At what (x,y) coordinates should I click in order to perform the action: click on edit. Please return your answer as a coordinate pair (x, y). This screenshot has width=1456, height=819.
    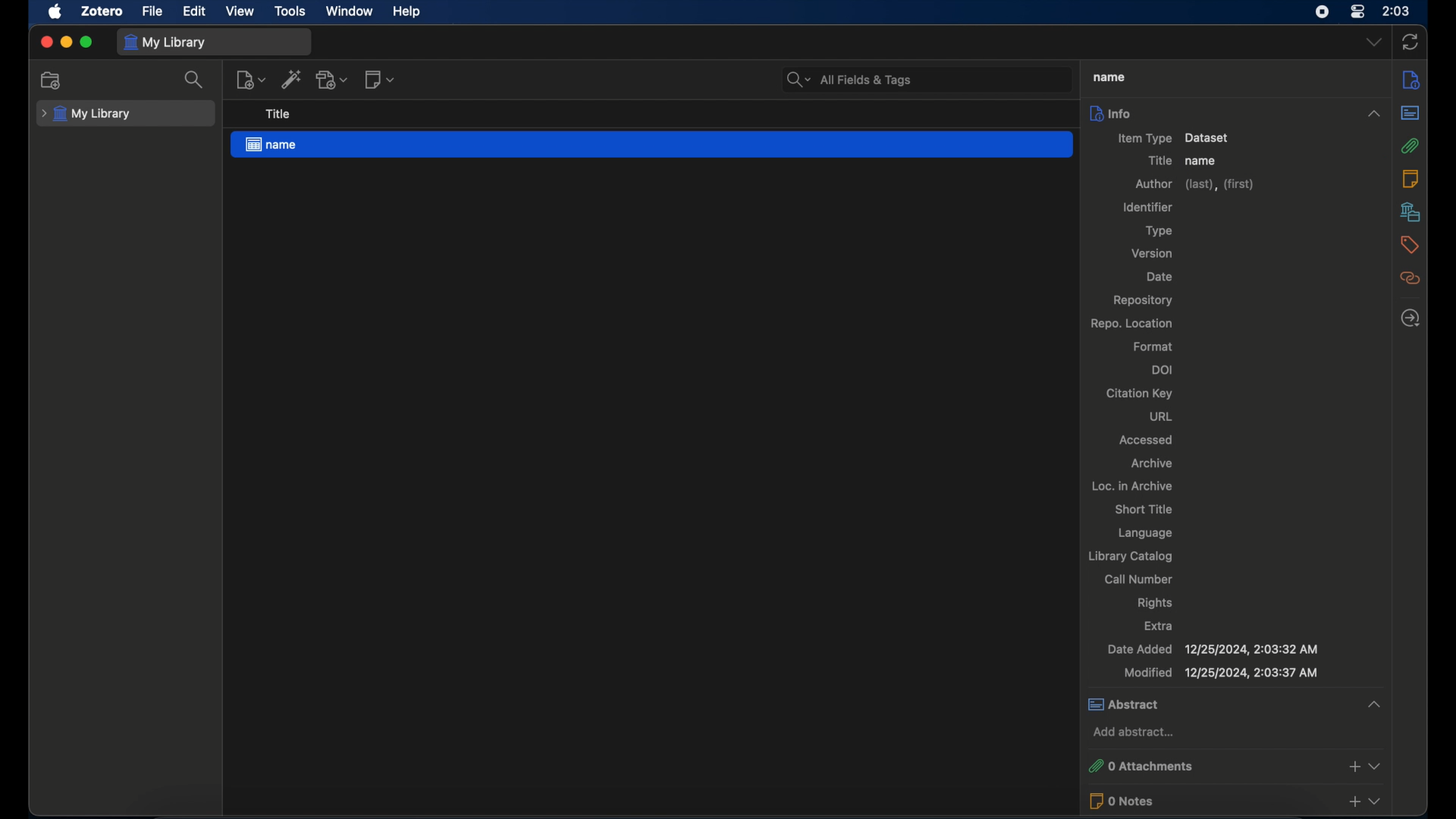
    Looking at the image, I should click on (194, 12).